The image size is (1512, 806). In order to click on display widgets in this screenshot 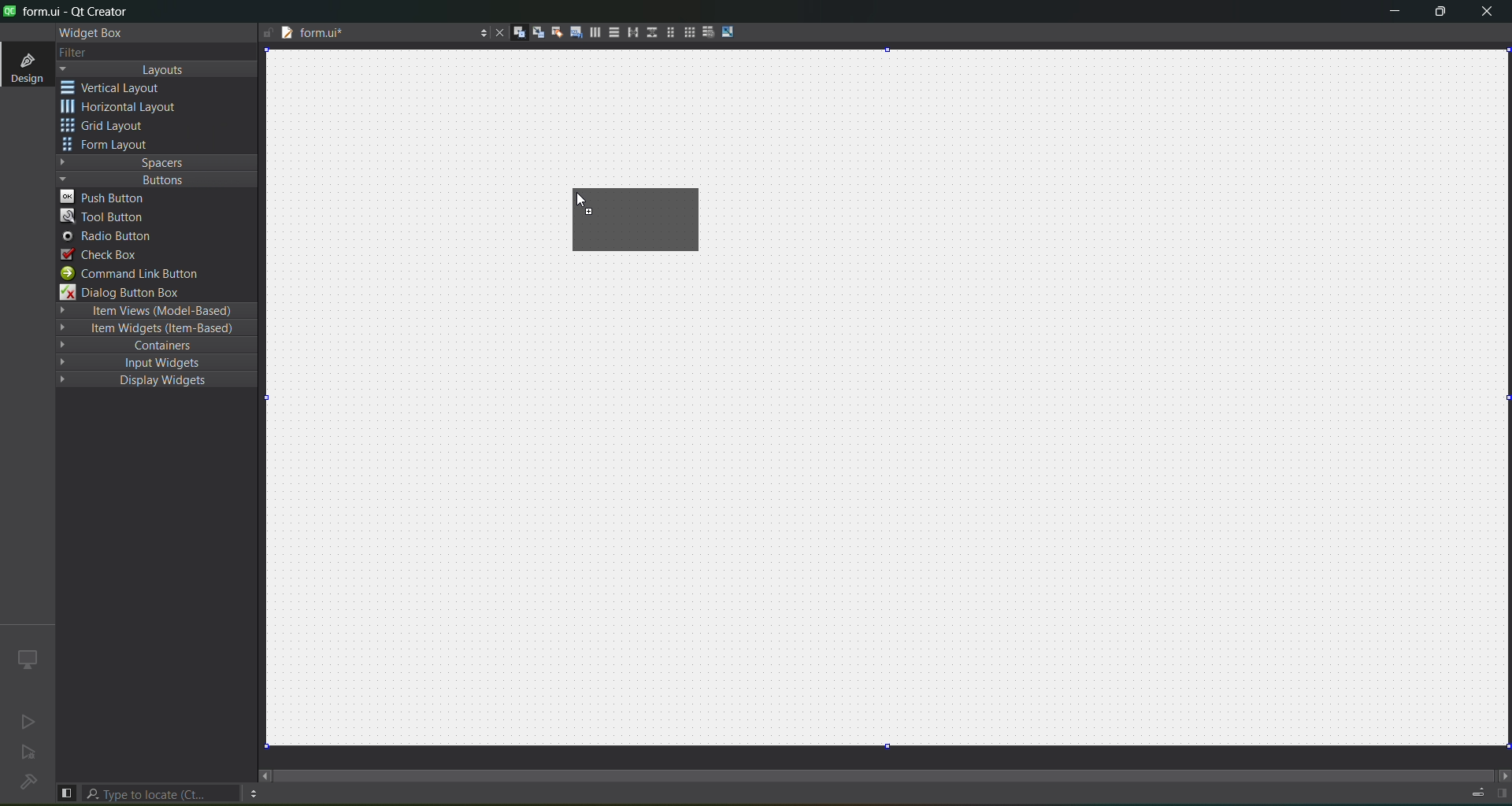, I will do `click(145, 381)`.